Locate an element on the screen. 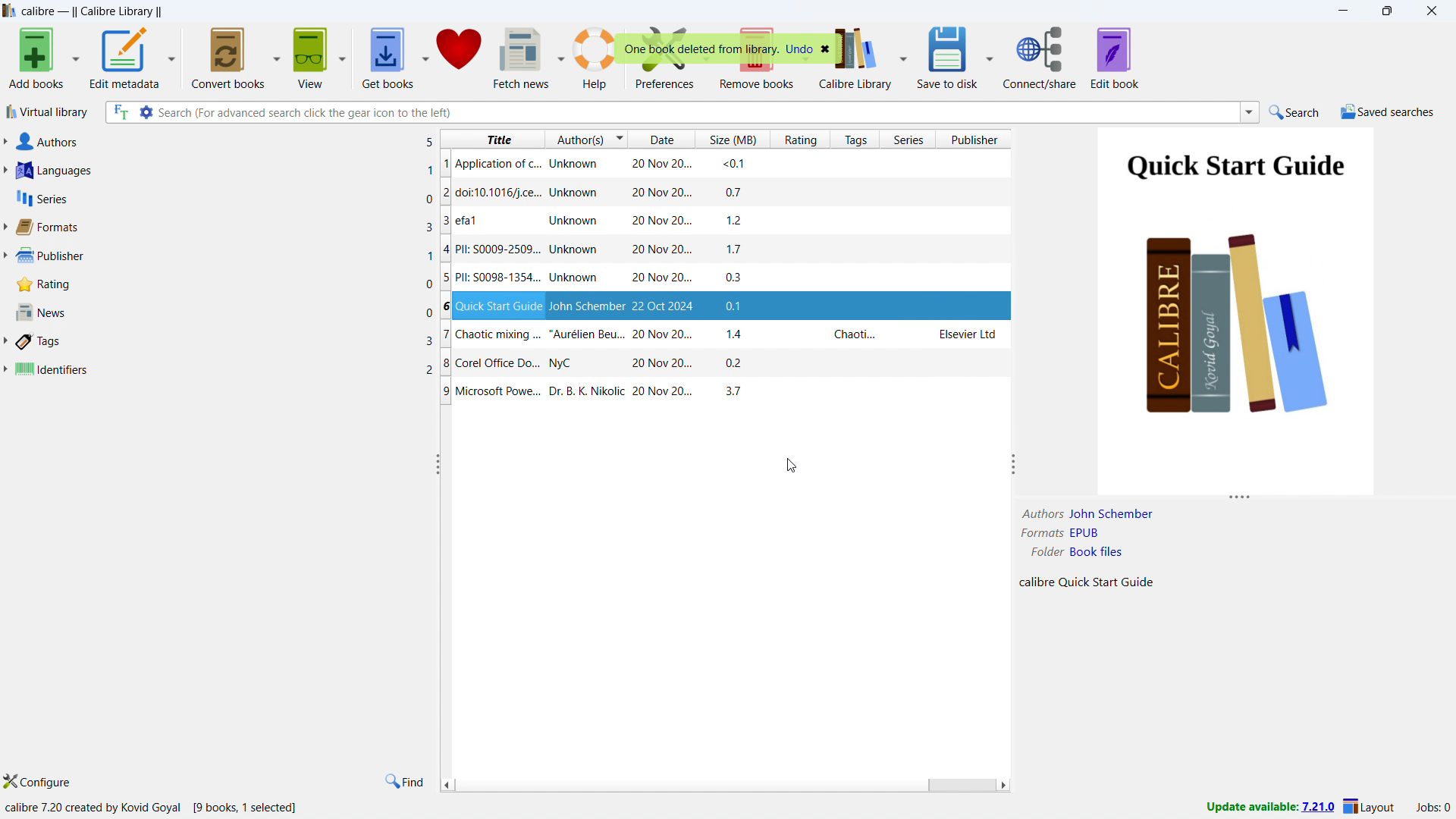 This screenshot has height=819, width=1456. logo is located at coordinates (9, 10).